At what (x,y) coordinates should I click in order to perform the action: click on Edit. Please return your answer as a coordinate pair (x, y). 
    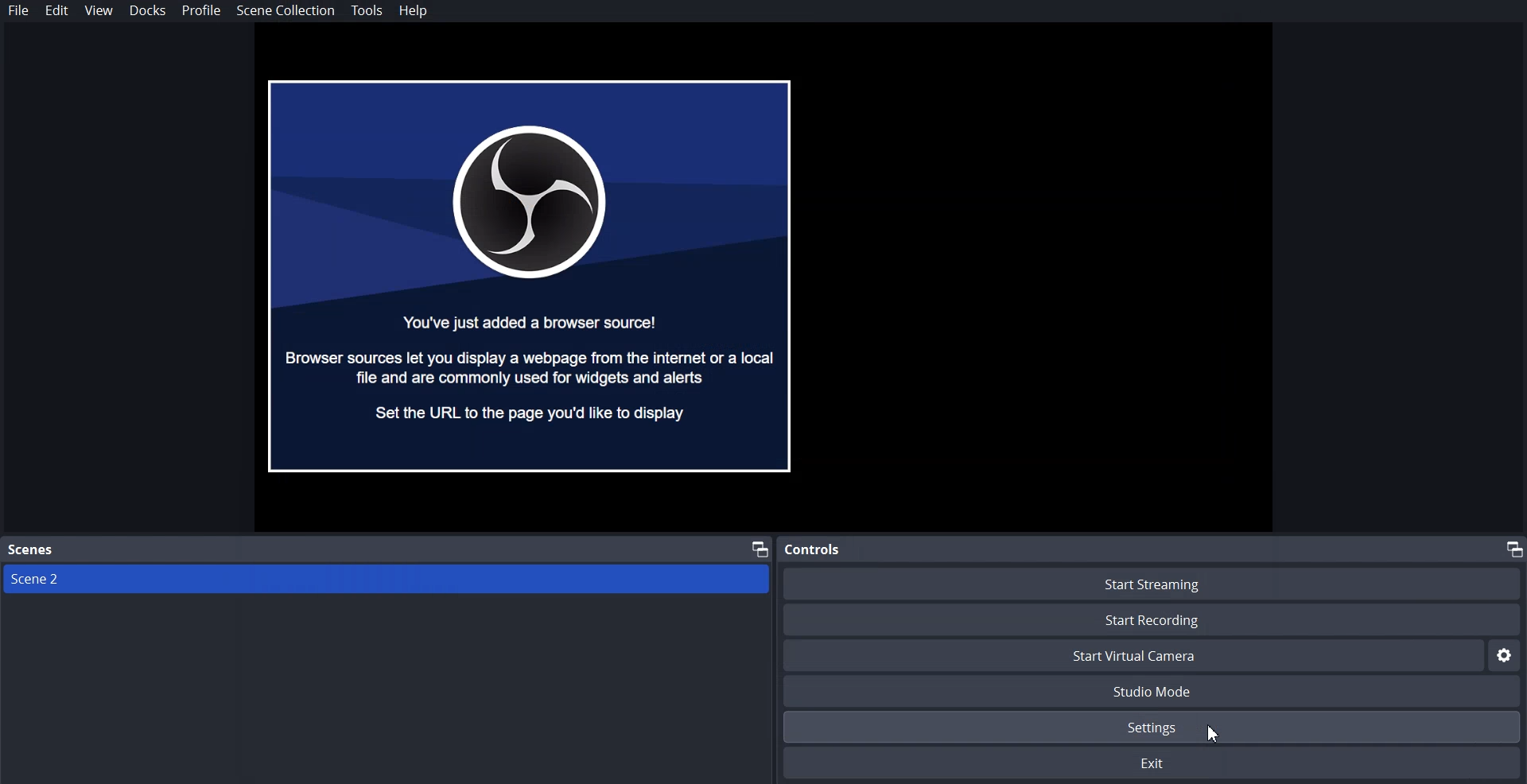
    Looking at the image, I should click on (56, 10).